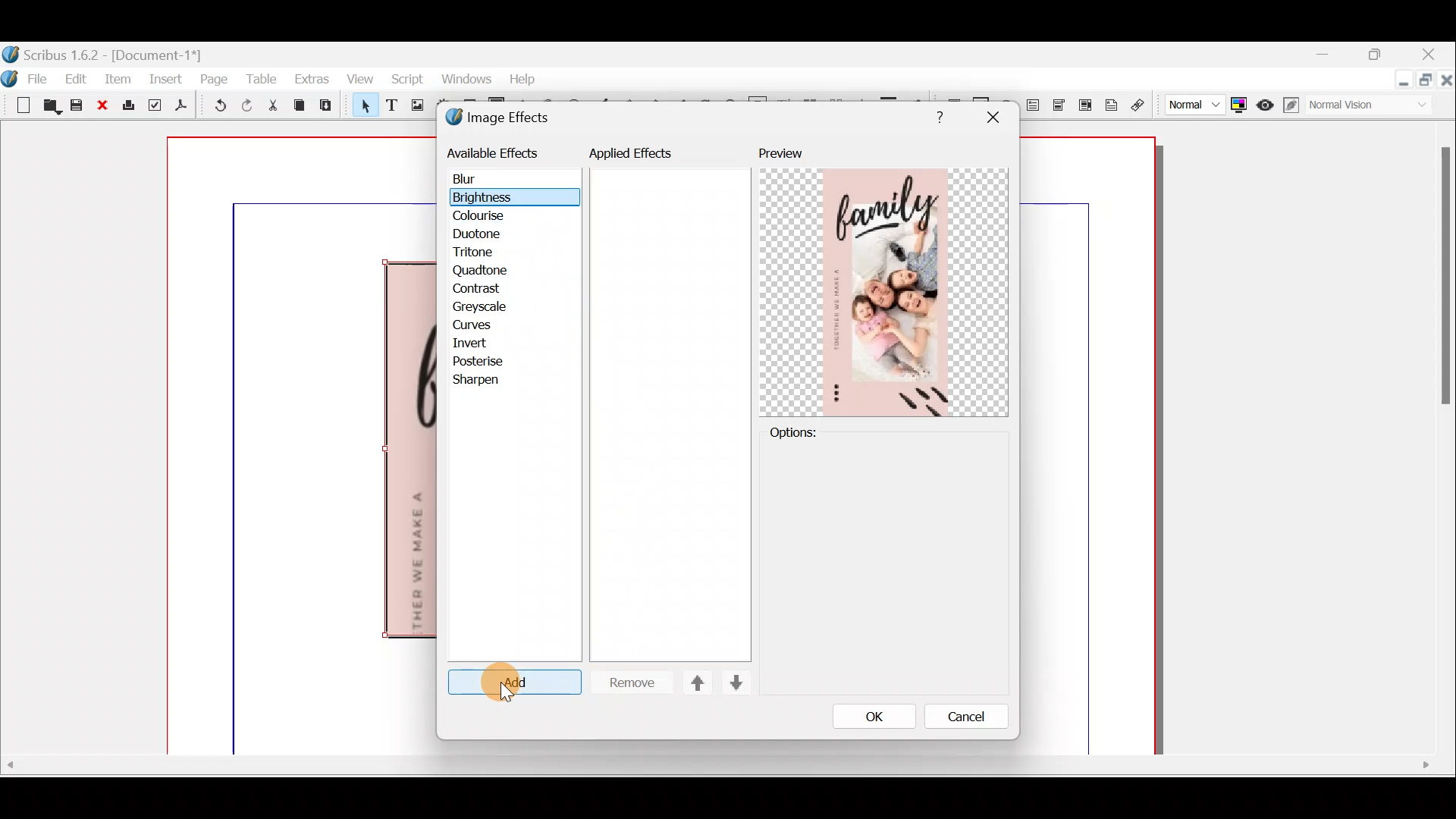  Describe the element at coordinates (883, 281) in the screenshot. I see `Preview` at that location.